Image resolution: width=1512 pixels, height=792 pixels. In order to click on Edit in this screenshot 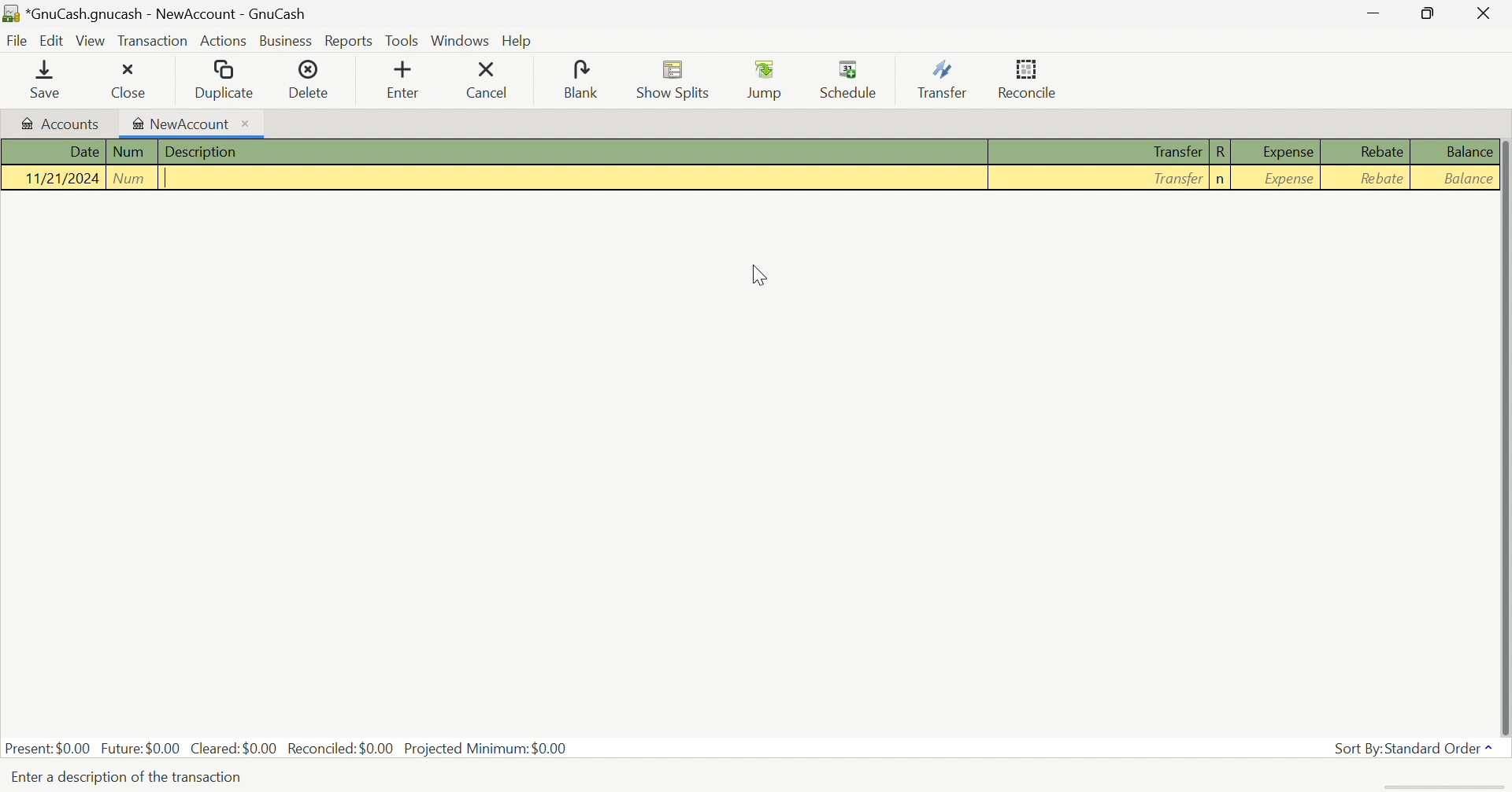, I will do `click(51, 40)`.